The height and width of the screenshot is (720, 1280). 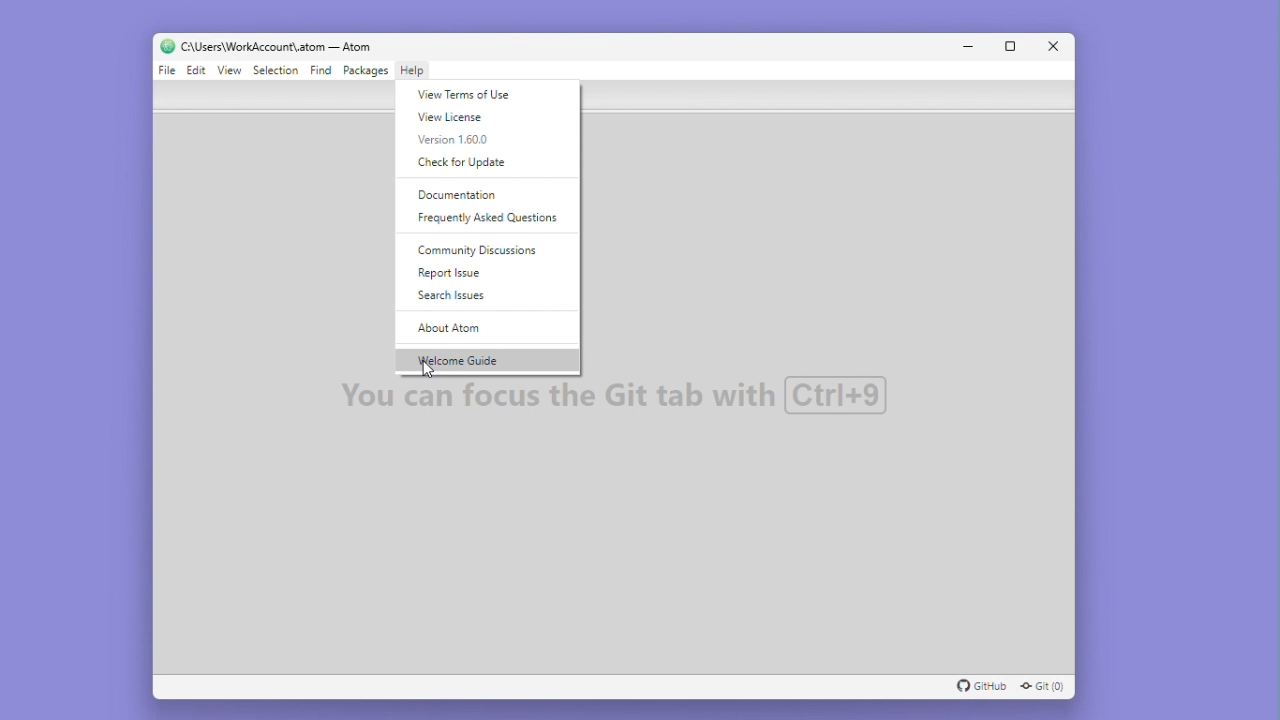 What do you see at coordinates (464, 299) in the screenshot?
I see `Search issues` at bounding box center [464, 299].